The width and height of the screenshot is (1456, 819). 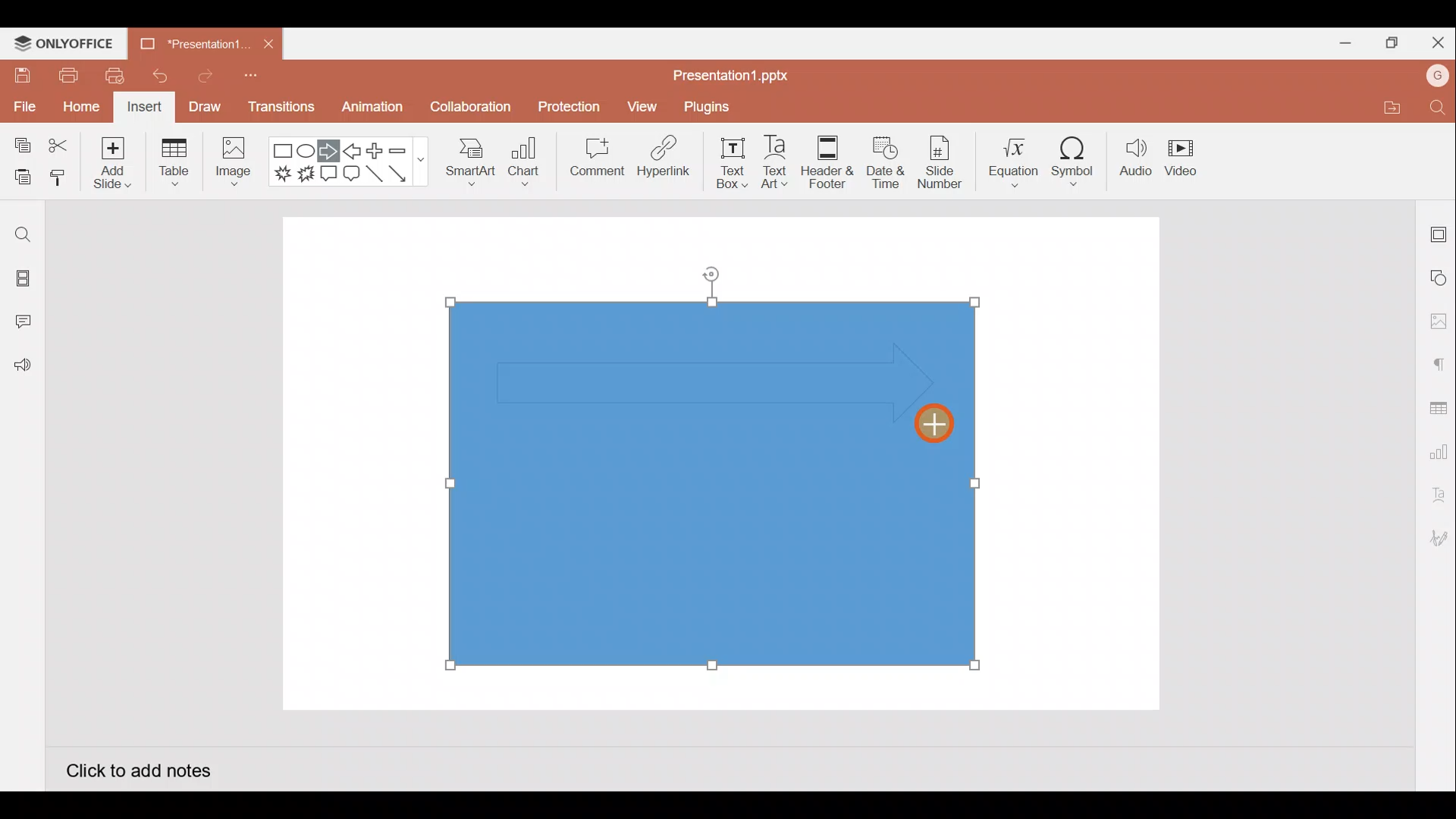 What do you see at coordinates (1436, 540) in the screenshot?
I see `Signature settings` at bounding box center [1436, 540].